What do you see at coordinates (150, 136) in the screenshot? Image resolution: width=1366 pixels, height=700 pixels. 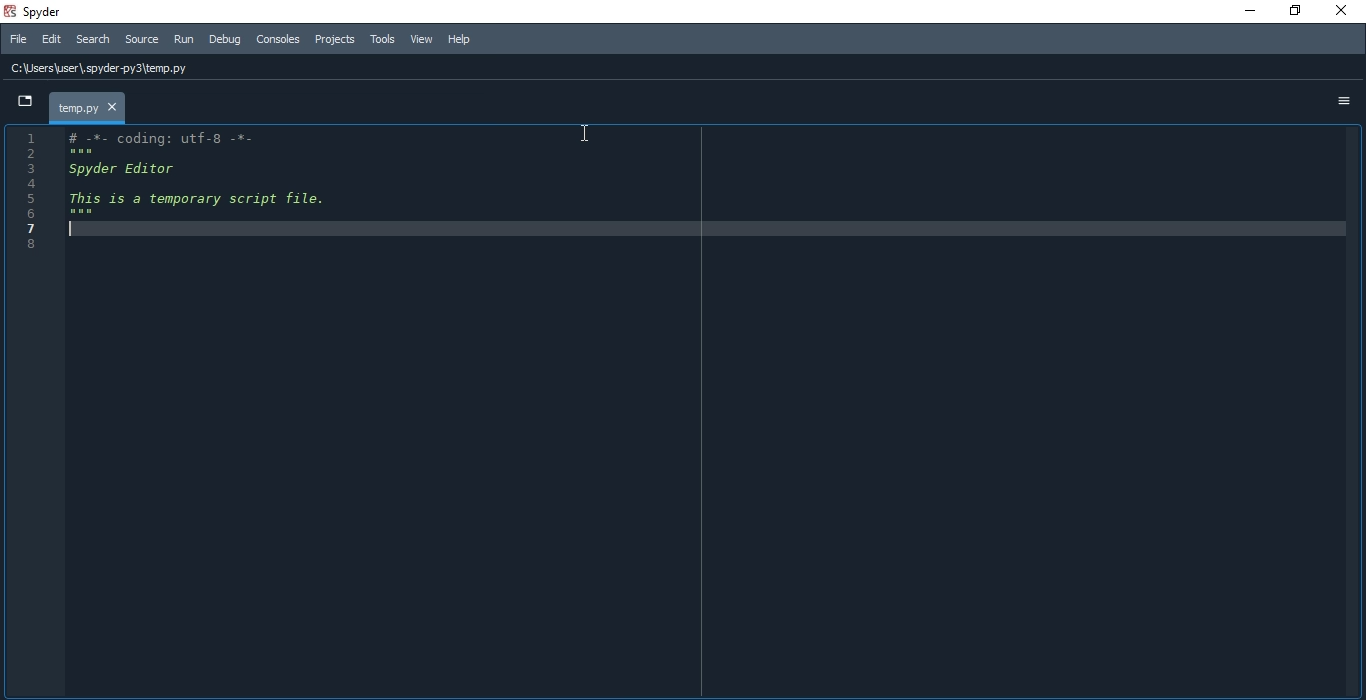 I see `1  # -*- coding: utf-8 -*-` at bounding box center [150, 136].